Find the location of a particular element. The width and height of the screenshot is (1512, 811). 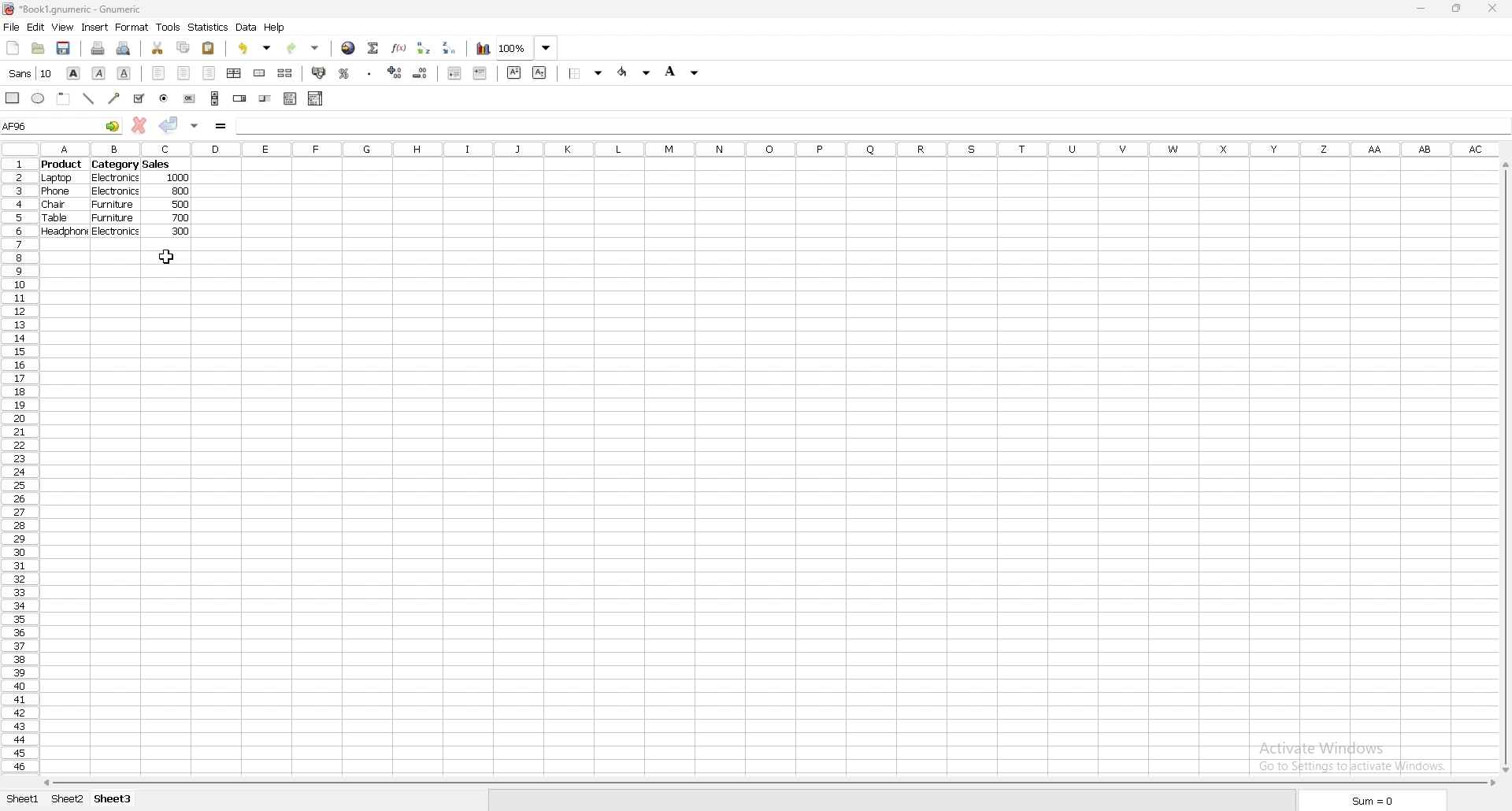

split merged cells is located at coordinates (286, 73).